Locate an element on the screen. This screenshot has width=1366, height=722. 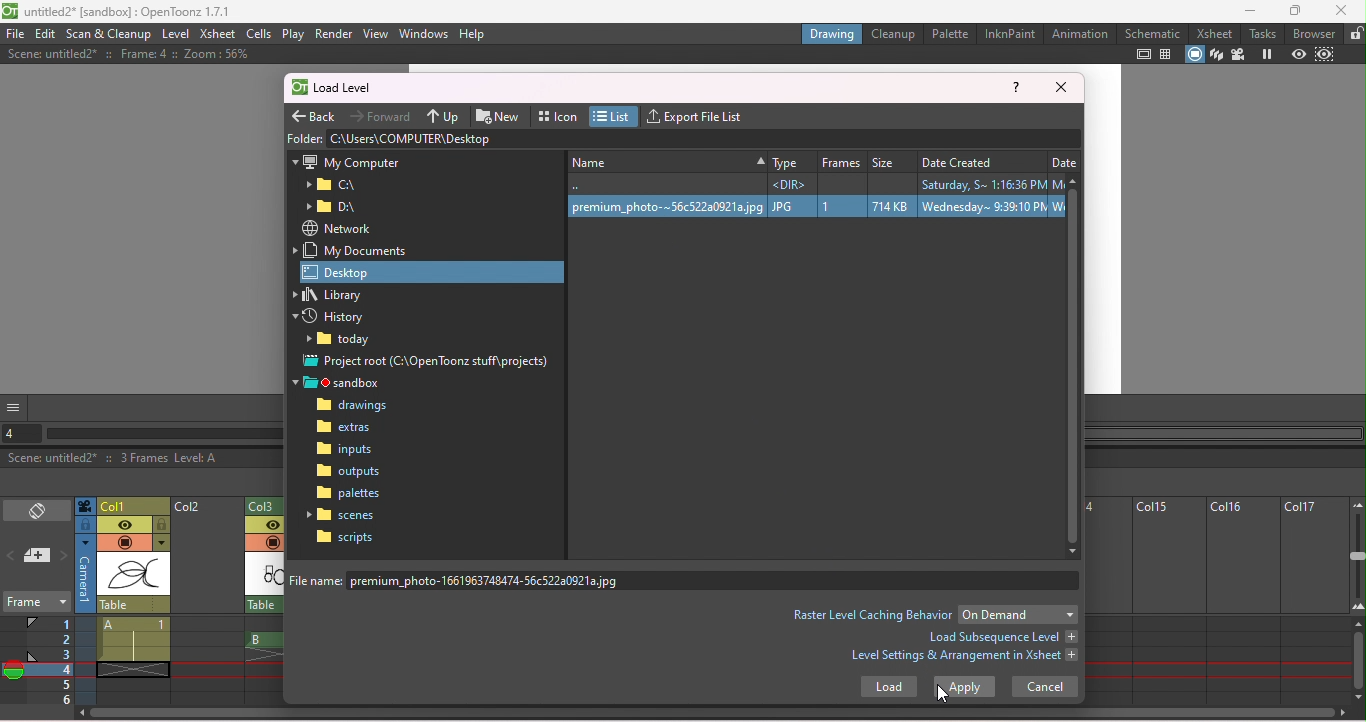
Library is located at coordinates (339, 295).